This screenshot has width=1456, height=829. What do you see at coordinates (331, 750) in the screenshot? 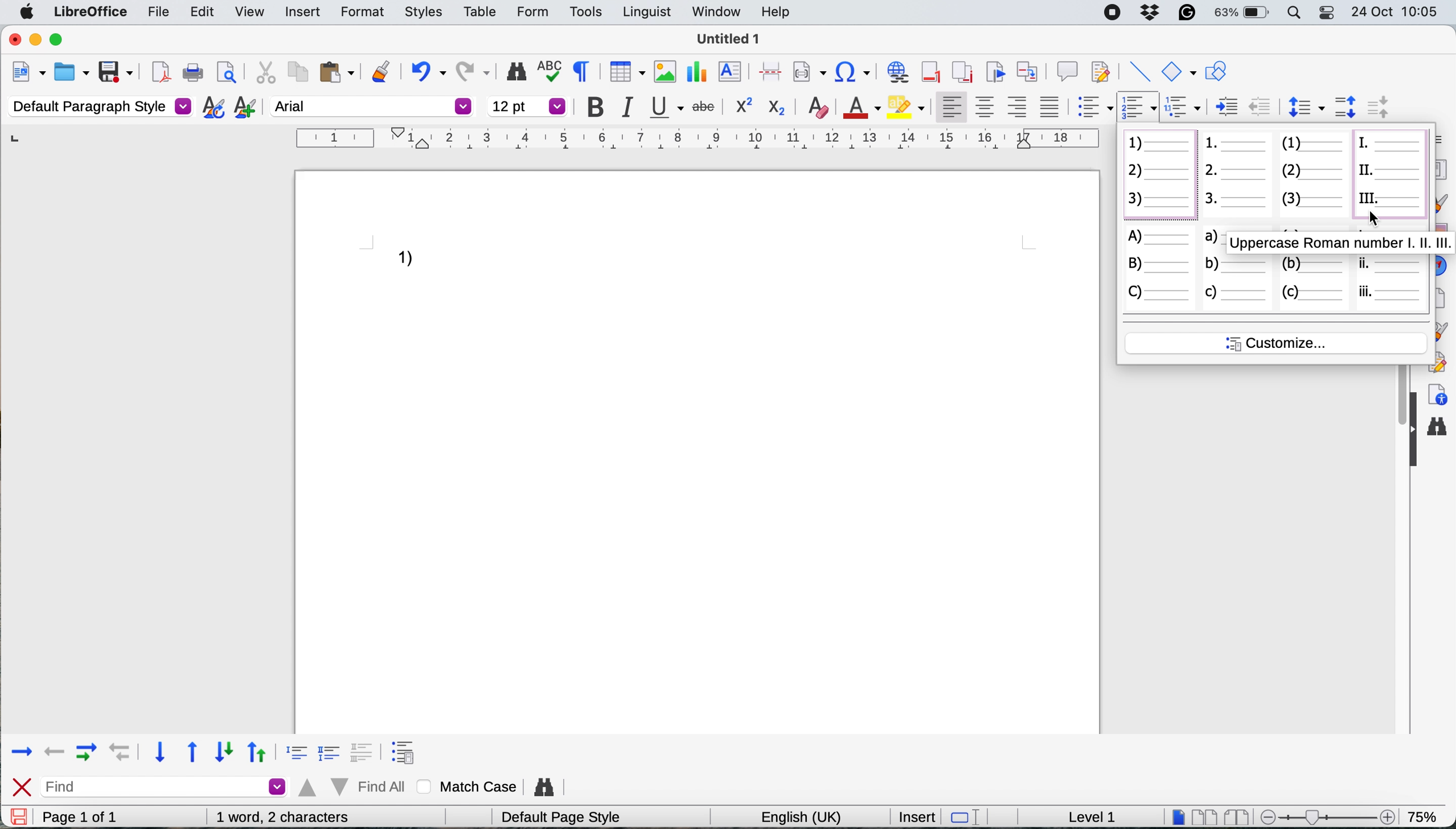
I see `format 2` at bounding box center [331, 750].